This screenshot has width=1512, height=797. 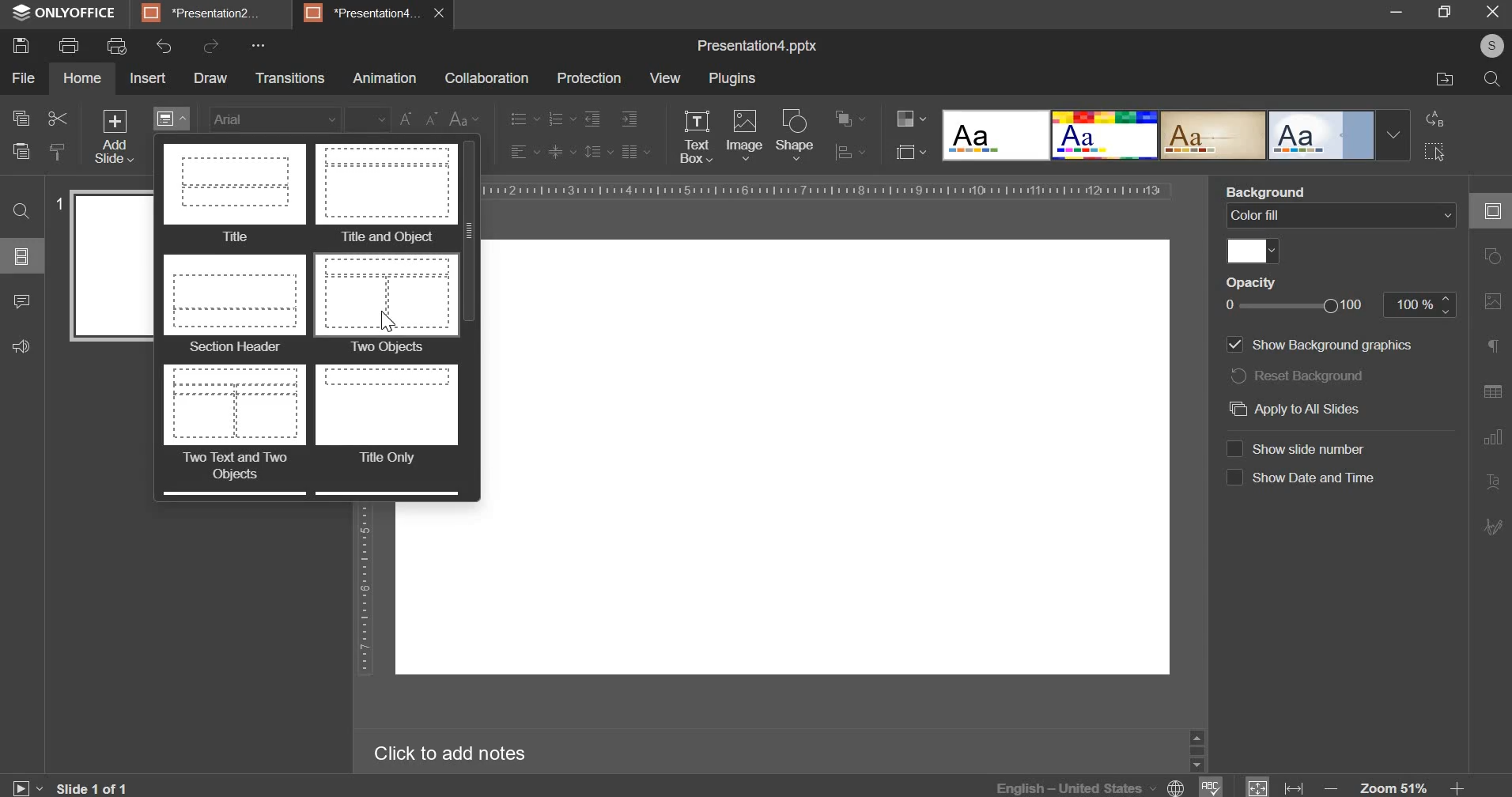 I want to click on minimize, so click(x=1397, y=13).